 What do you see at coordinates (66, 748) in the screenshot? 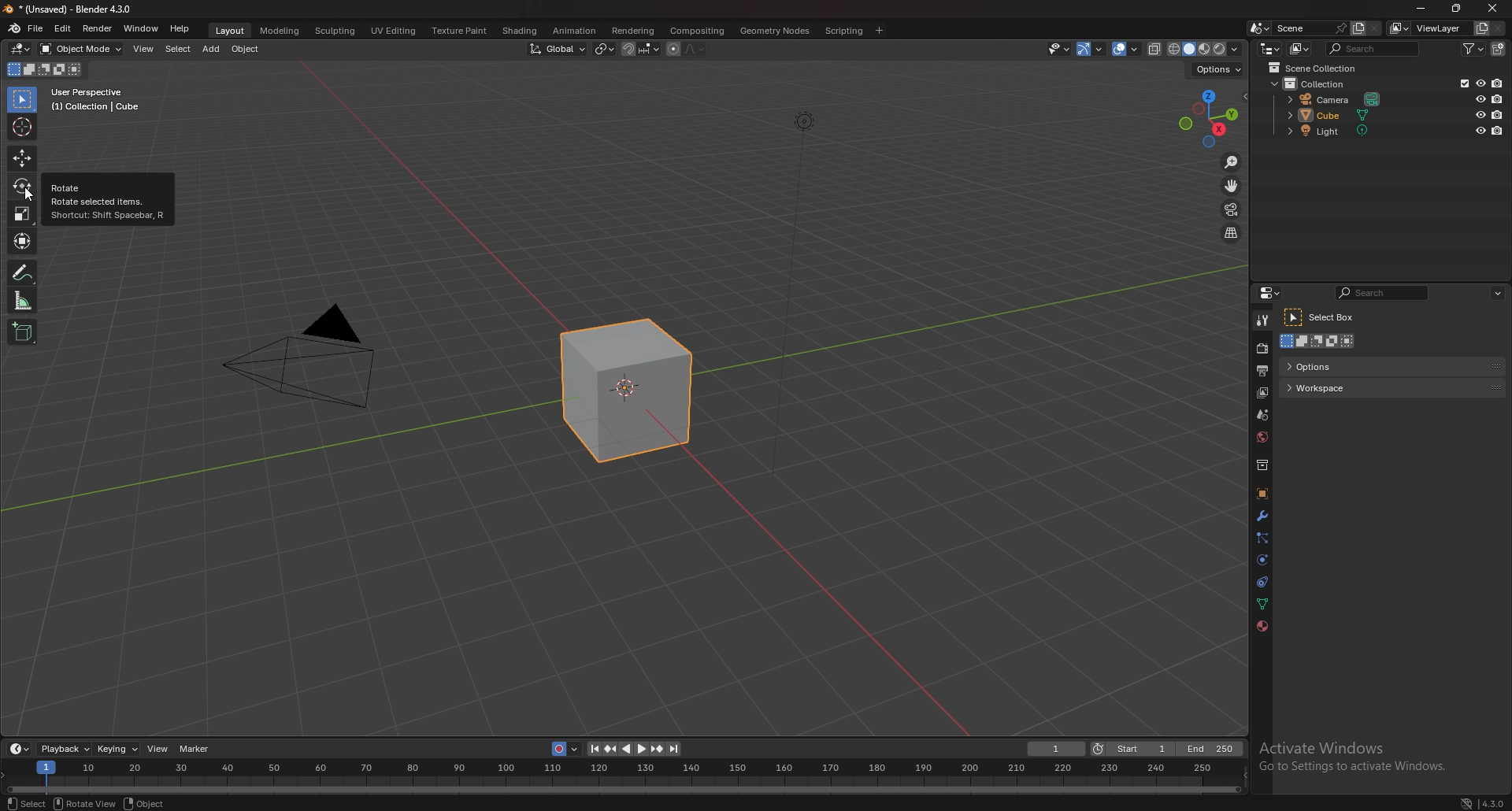
I see `playback` at bounding box center [66, 748].